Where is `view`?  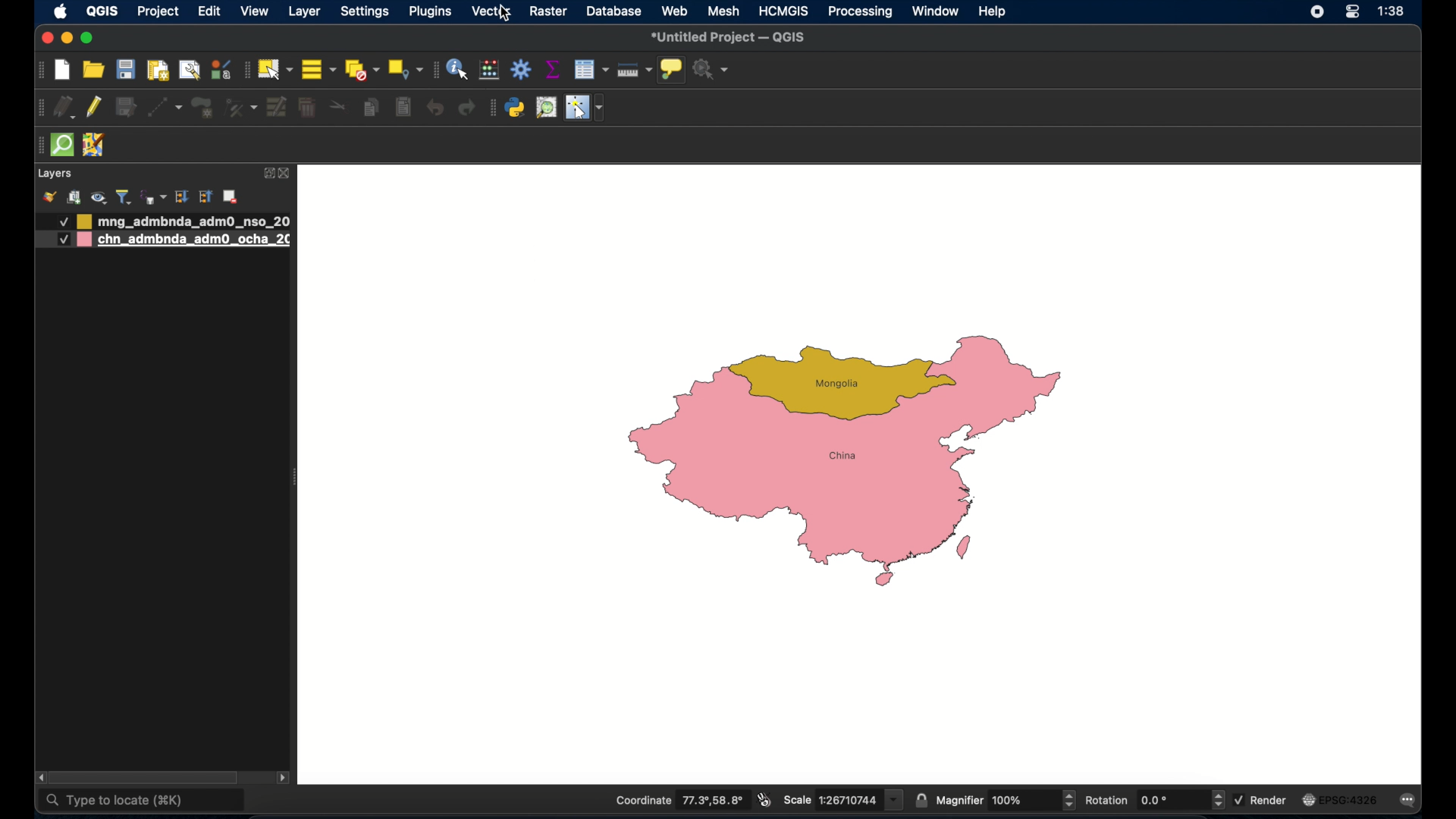 view is located at coordinates (254, 12).